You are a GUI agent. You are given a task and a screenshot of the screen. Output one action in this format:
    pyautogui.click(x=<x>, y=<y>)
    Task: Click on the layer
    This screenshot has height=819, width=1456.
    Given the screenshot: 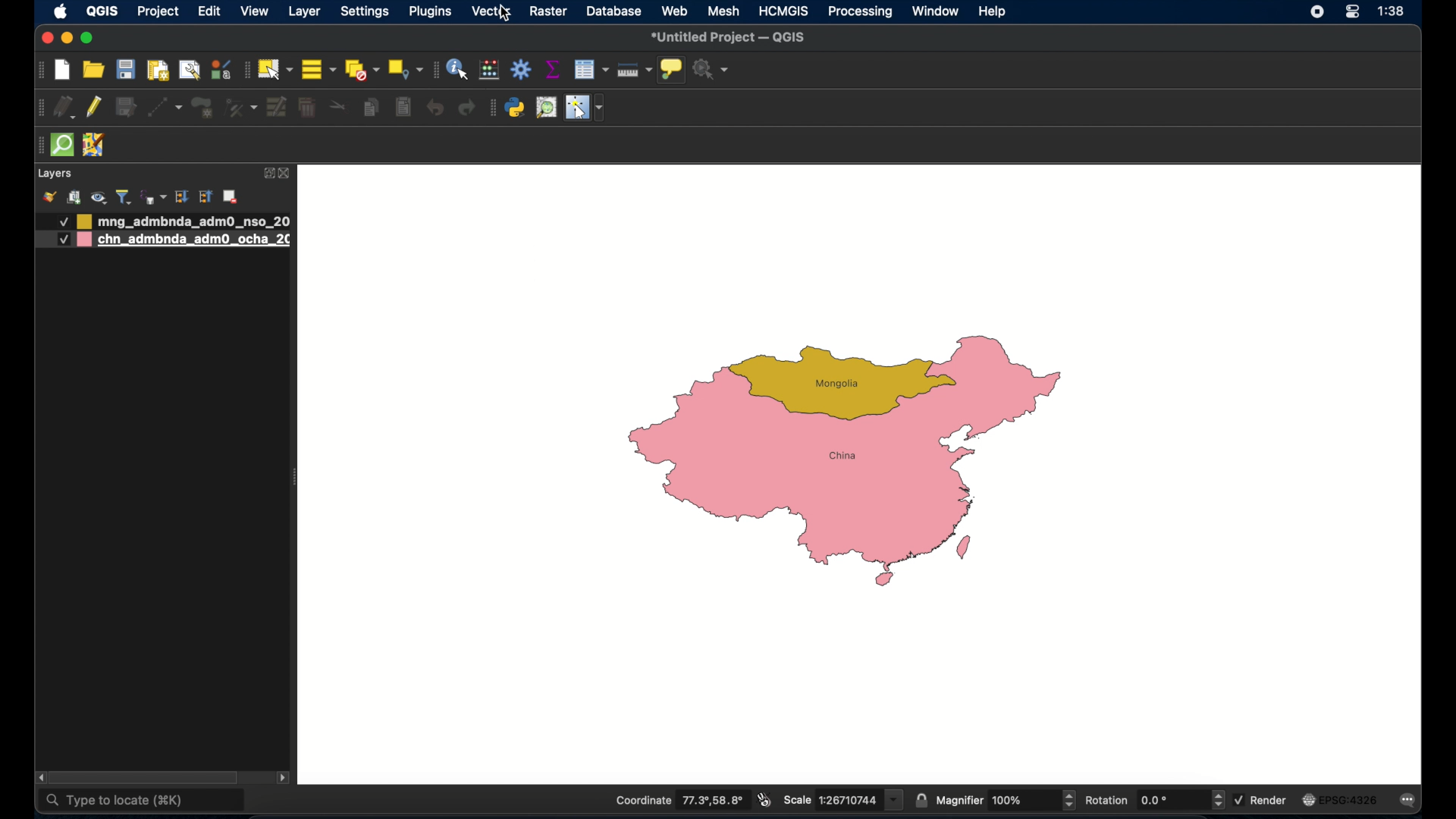 What is the action you would take?
    pyautogui.click(x=305, y=12)
    